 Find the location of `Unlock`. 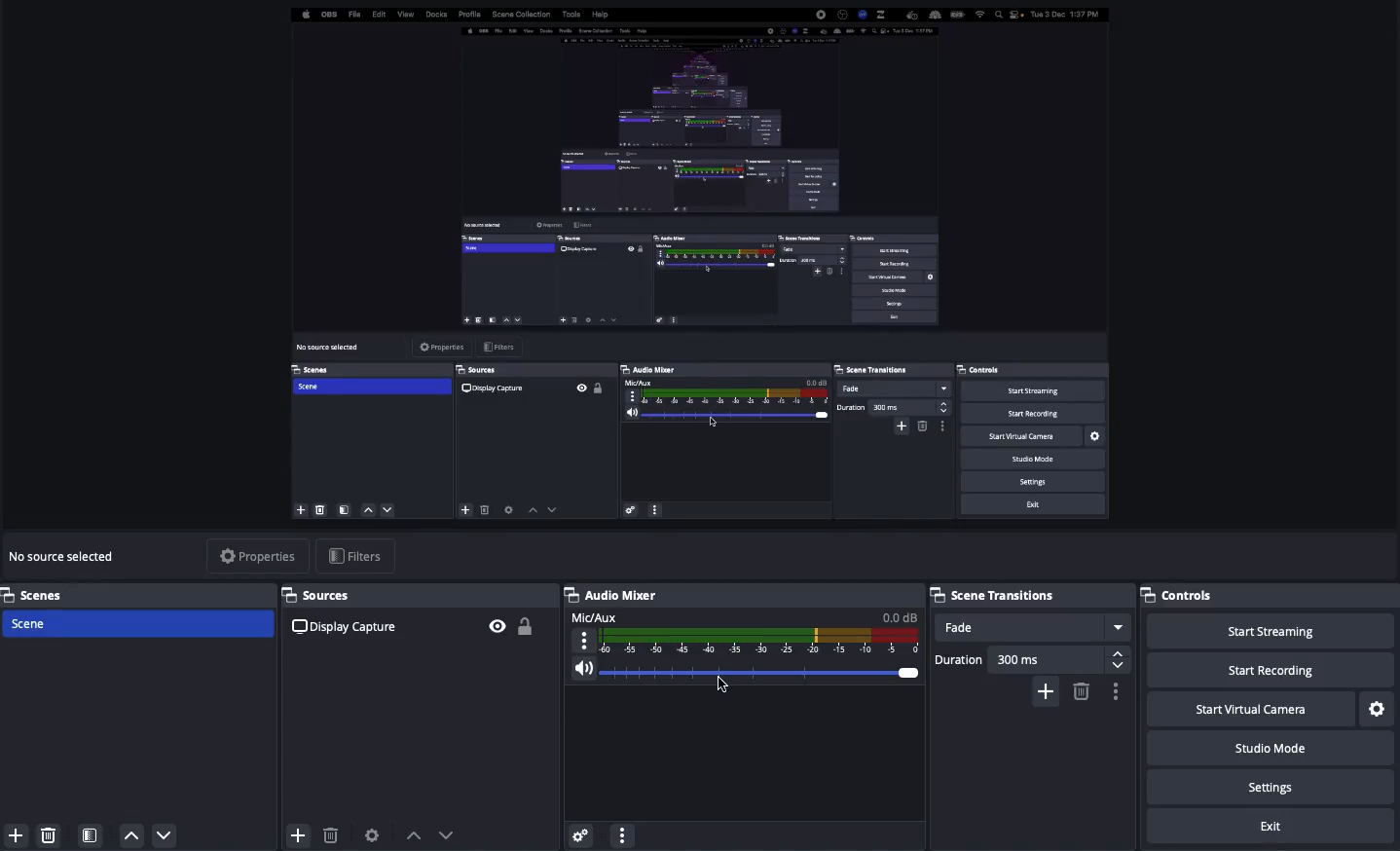

Unlock is located at coordinates (527, 627).